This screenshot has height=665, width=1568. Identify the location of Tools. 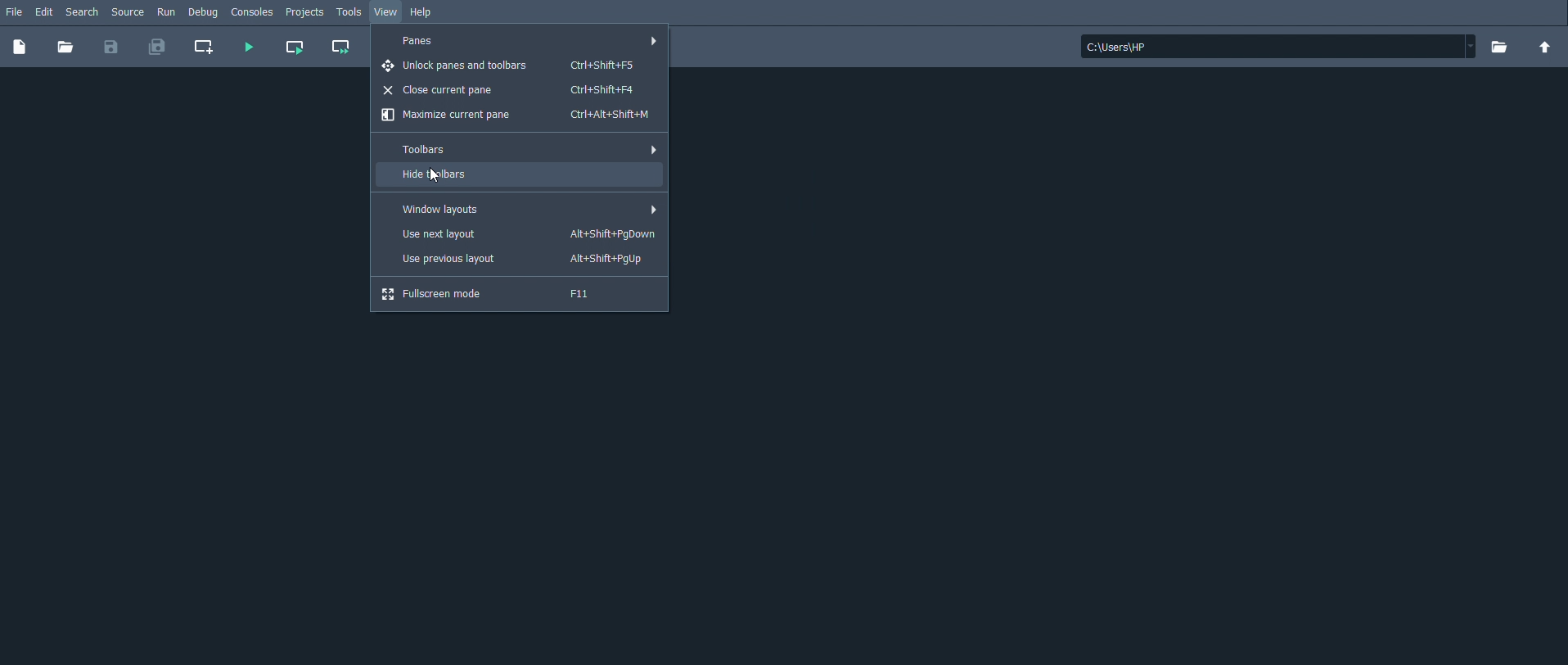
(349, 11).